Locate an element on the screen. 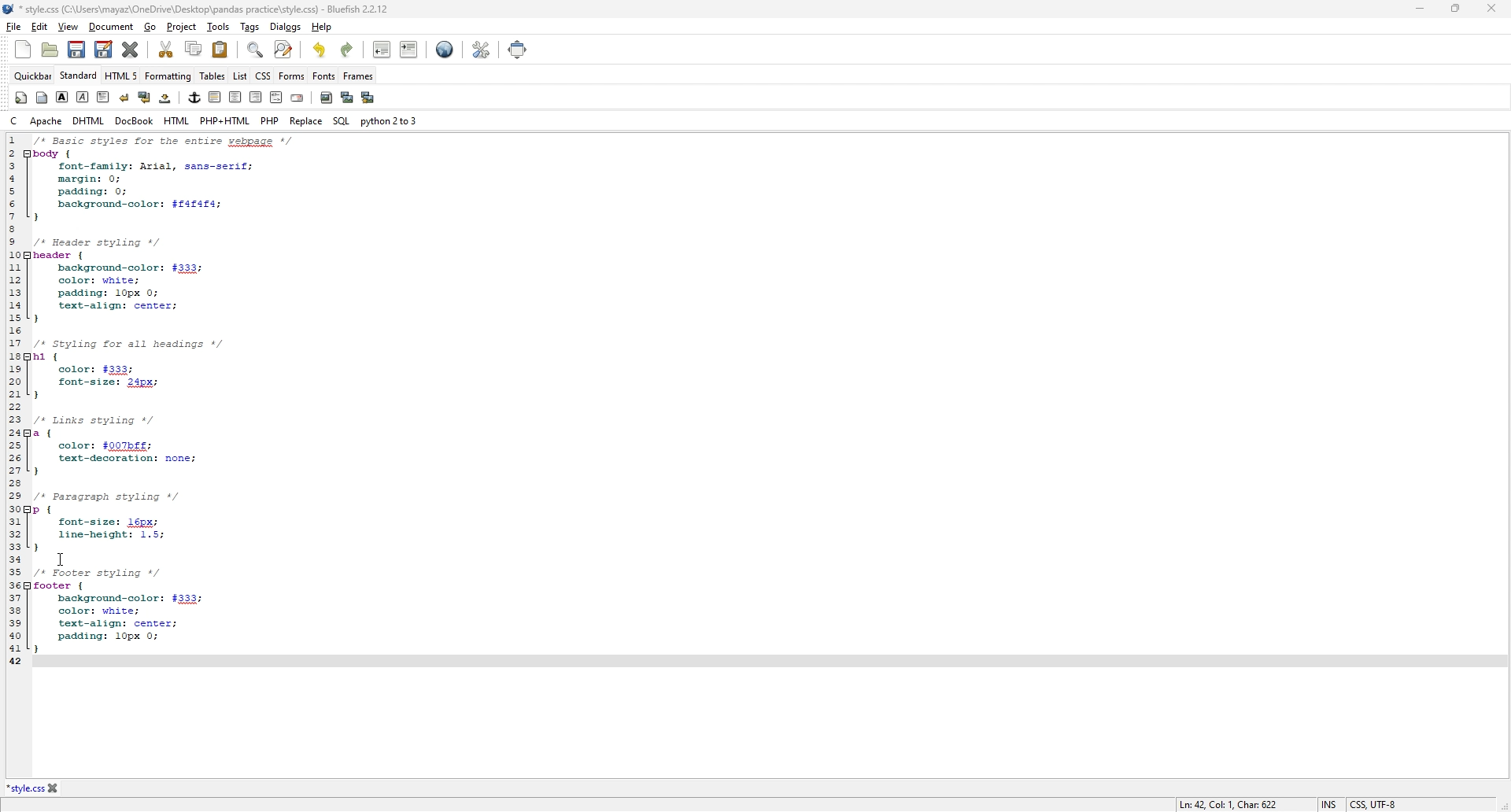  edit preference is located at coordinates (482, 50).